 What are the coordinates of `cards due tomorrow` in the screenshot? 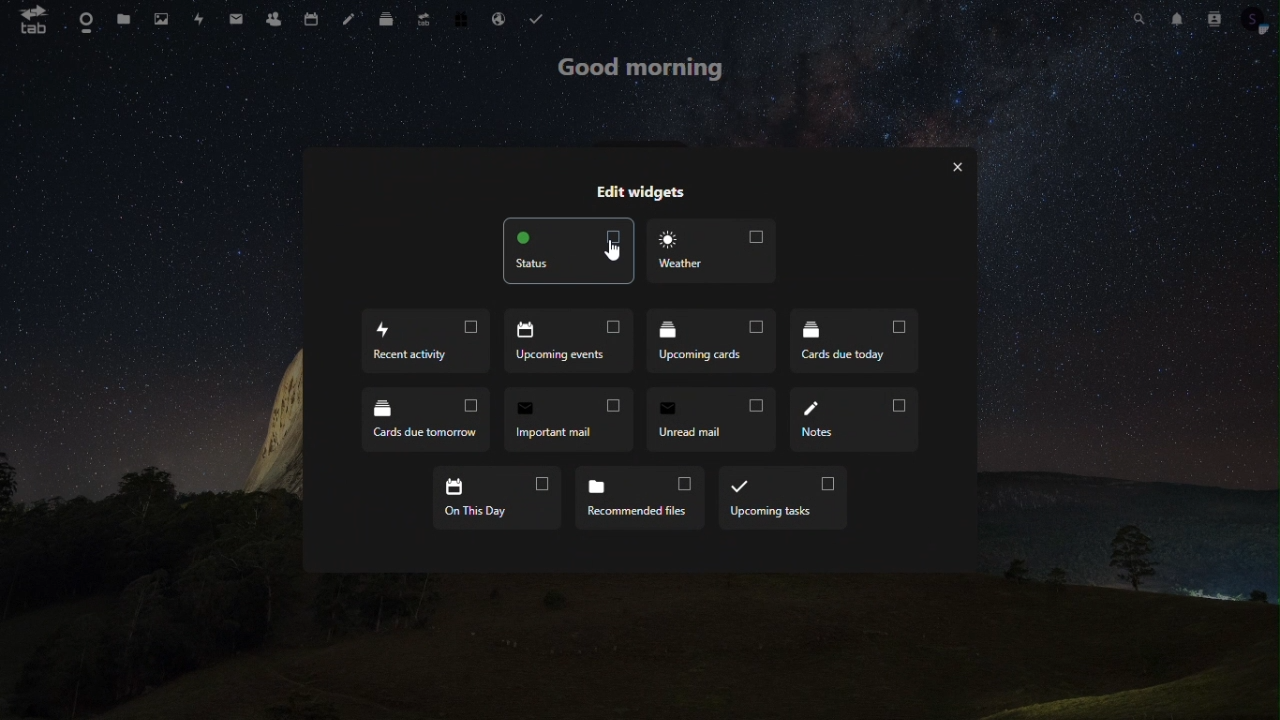 It's located at (427, 419).